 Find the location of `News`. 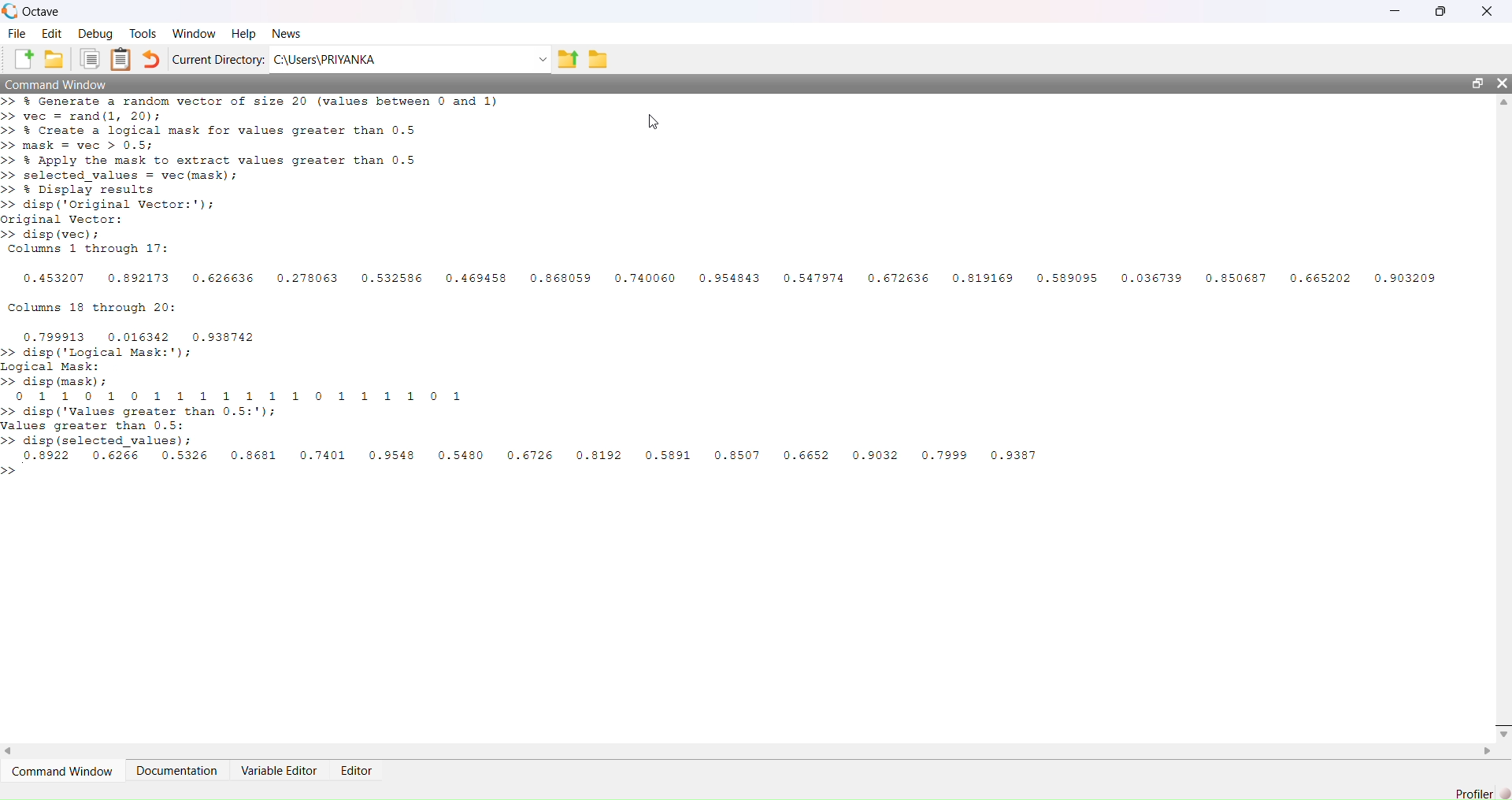

News is located at coordinates (288, 34).